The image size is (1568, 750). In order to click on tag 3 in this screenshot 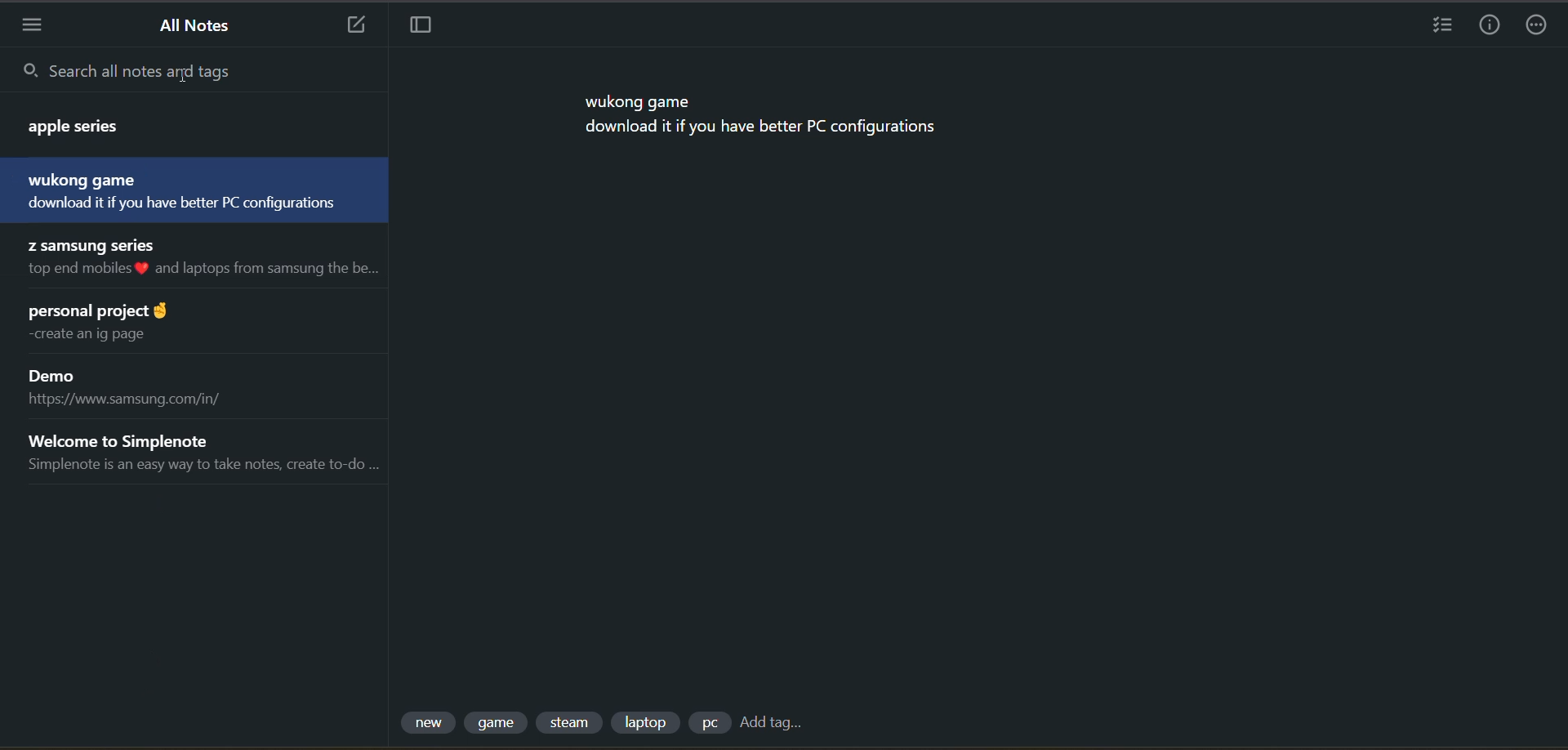, I will do `click(572, 721)`.